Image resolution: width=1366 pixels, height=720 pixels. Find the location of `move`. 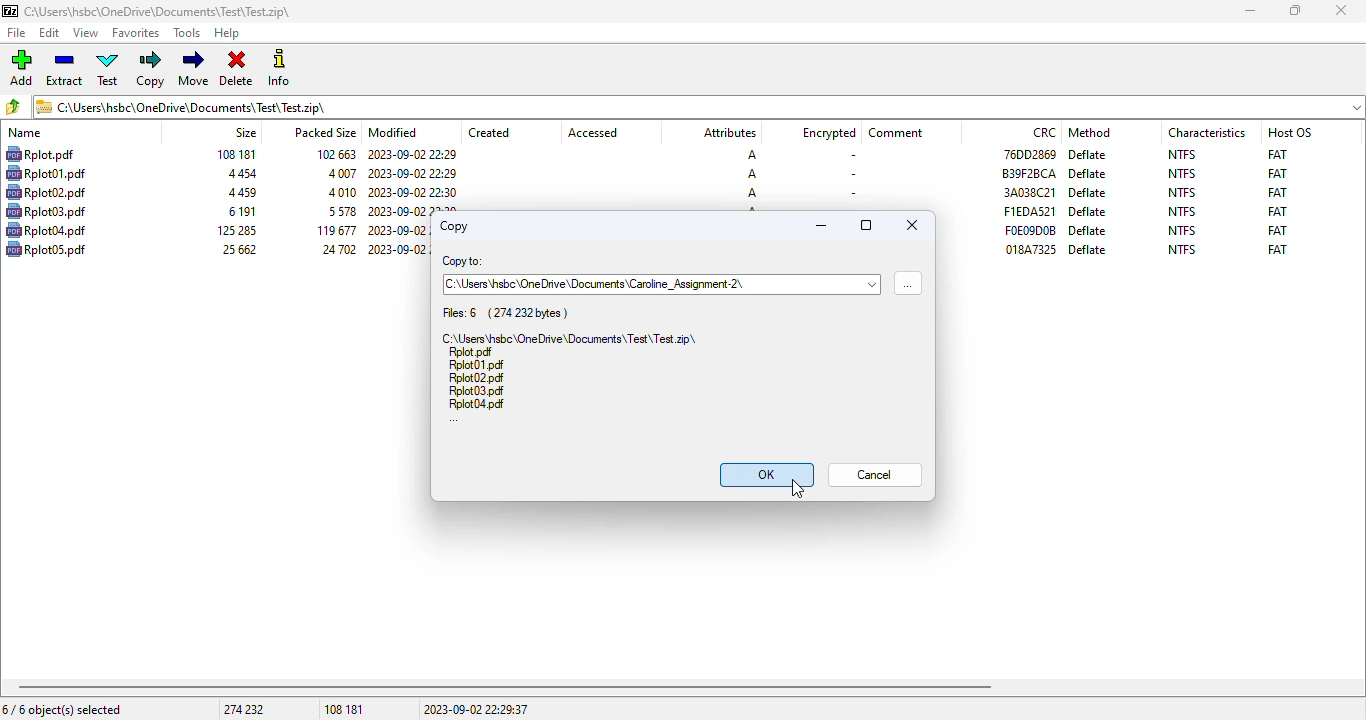

move is located at coordinates (193, 68).